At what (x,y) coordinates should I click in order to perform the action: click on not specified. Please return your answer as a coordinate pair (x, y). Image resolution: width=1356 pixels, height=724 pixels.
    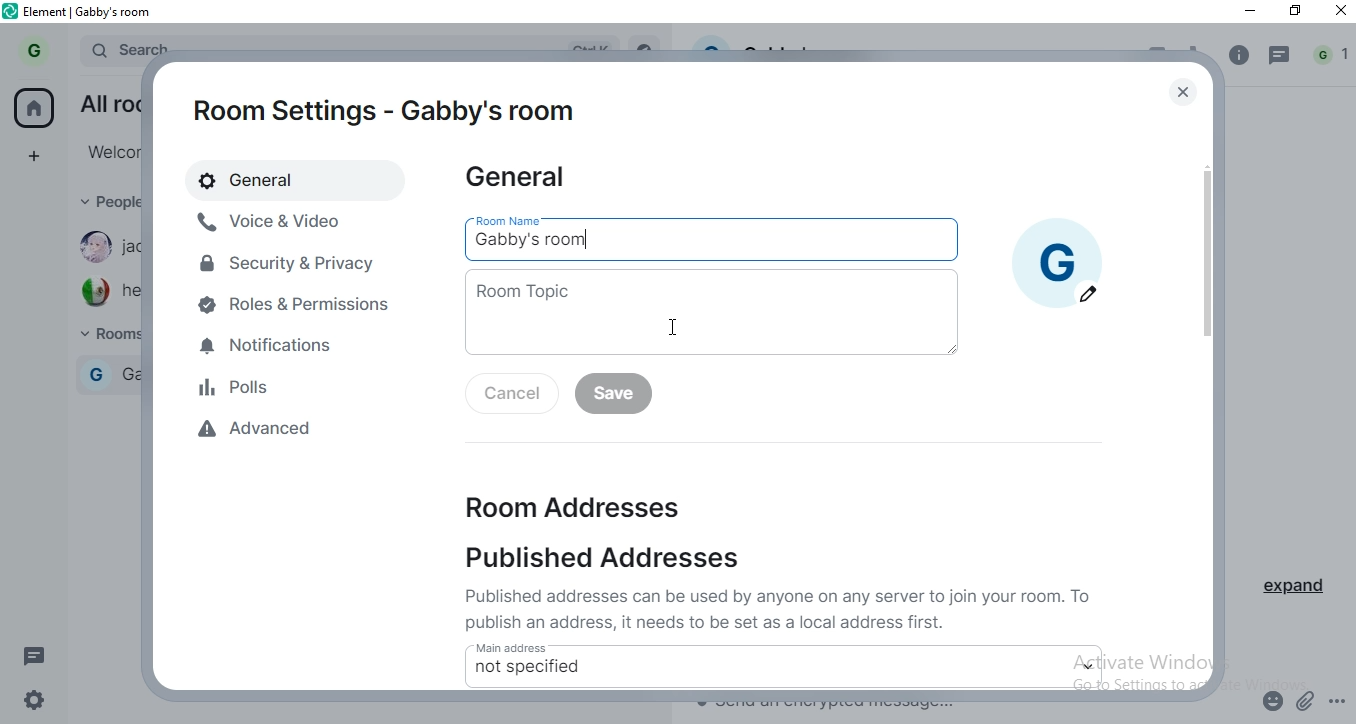
    Looking at the image, I should click on (529, 668).